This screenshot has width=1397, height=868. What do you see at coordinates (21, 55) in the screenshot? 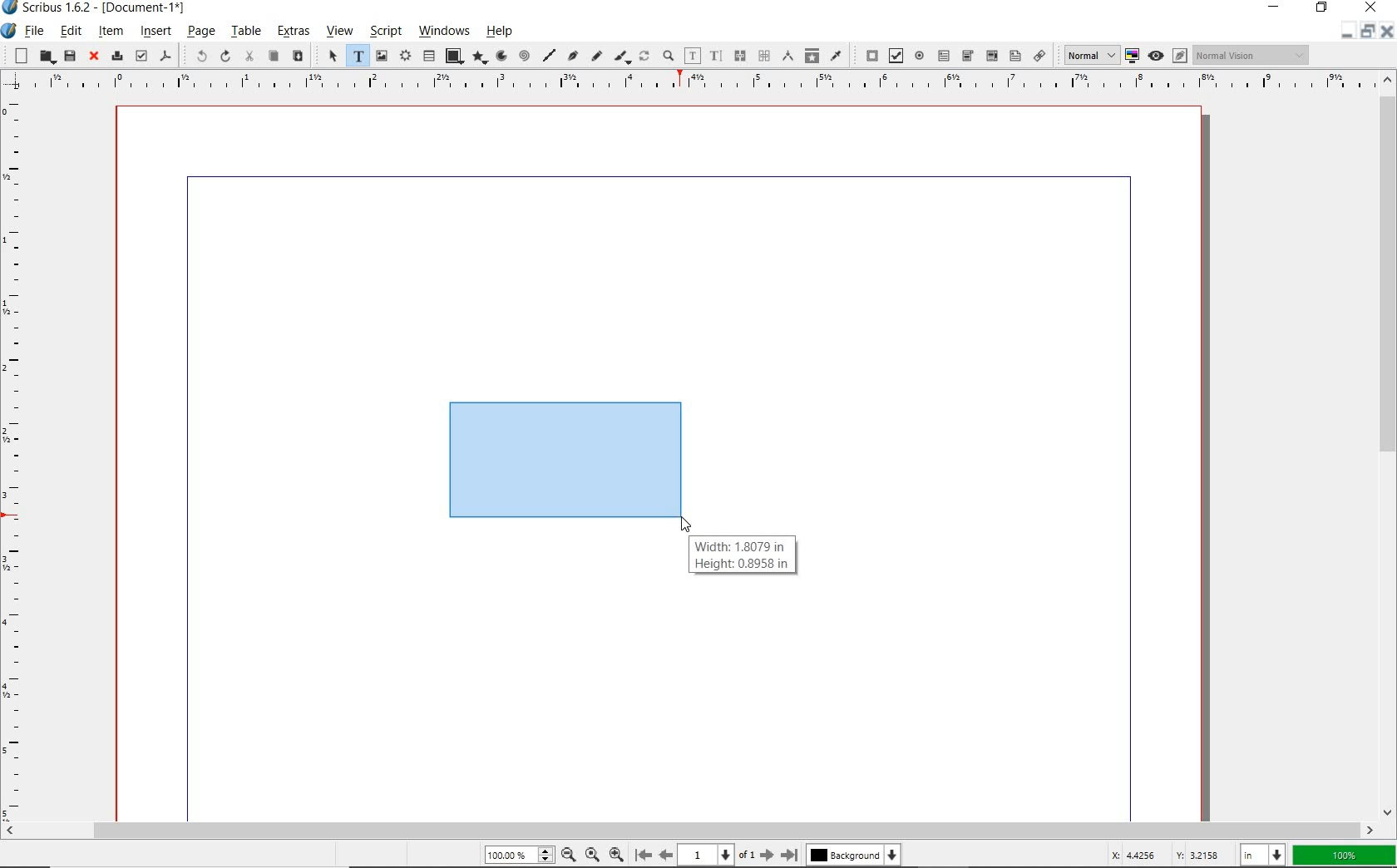
I see `new` at bounding box center [21, 55].